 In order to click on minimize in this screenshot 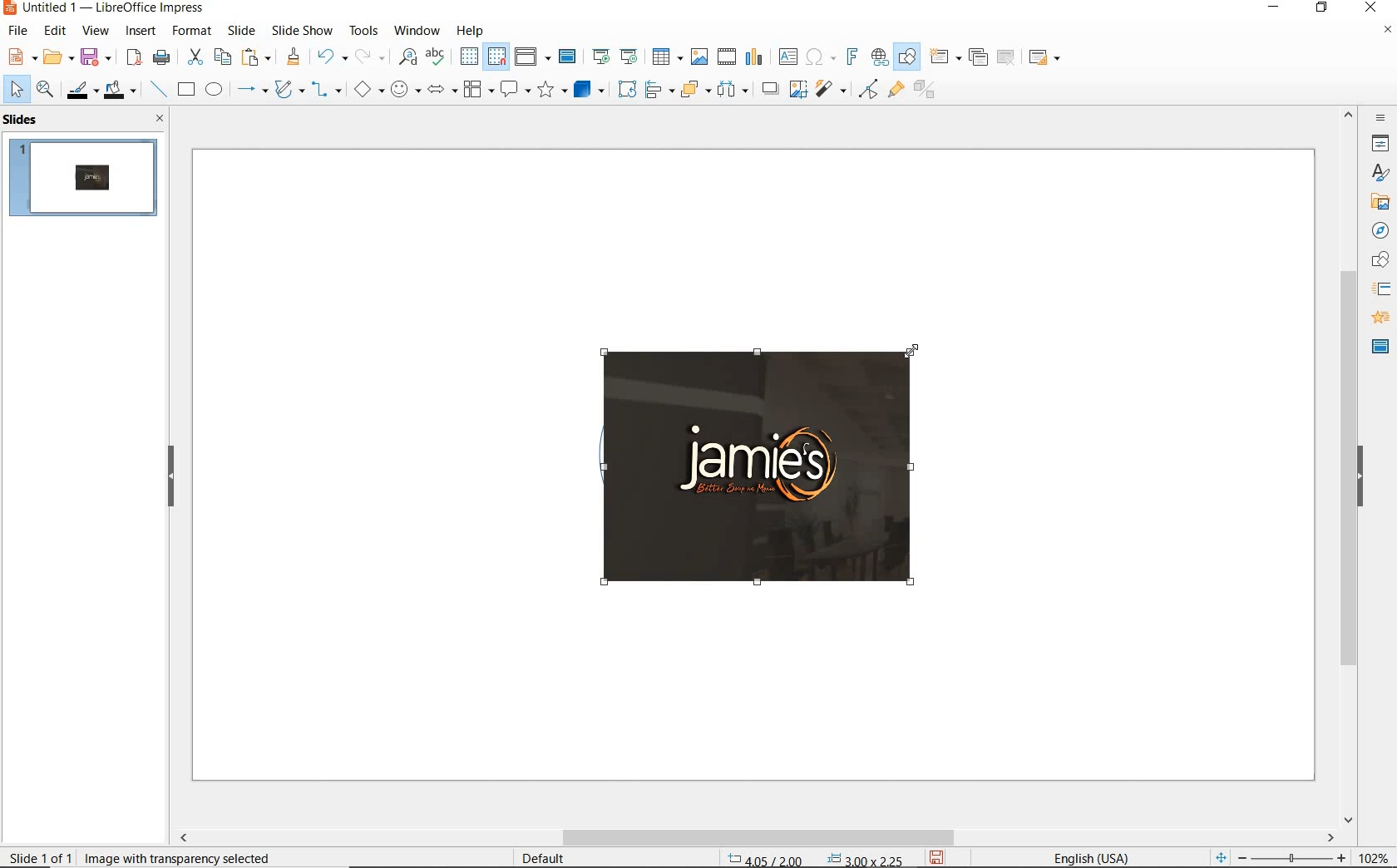, I will do `click(1276, 9)`.